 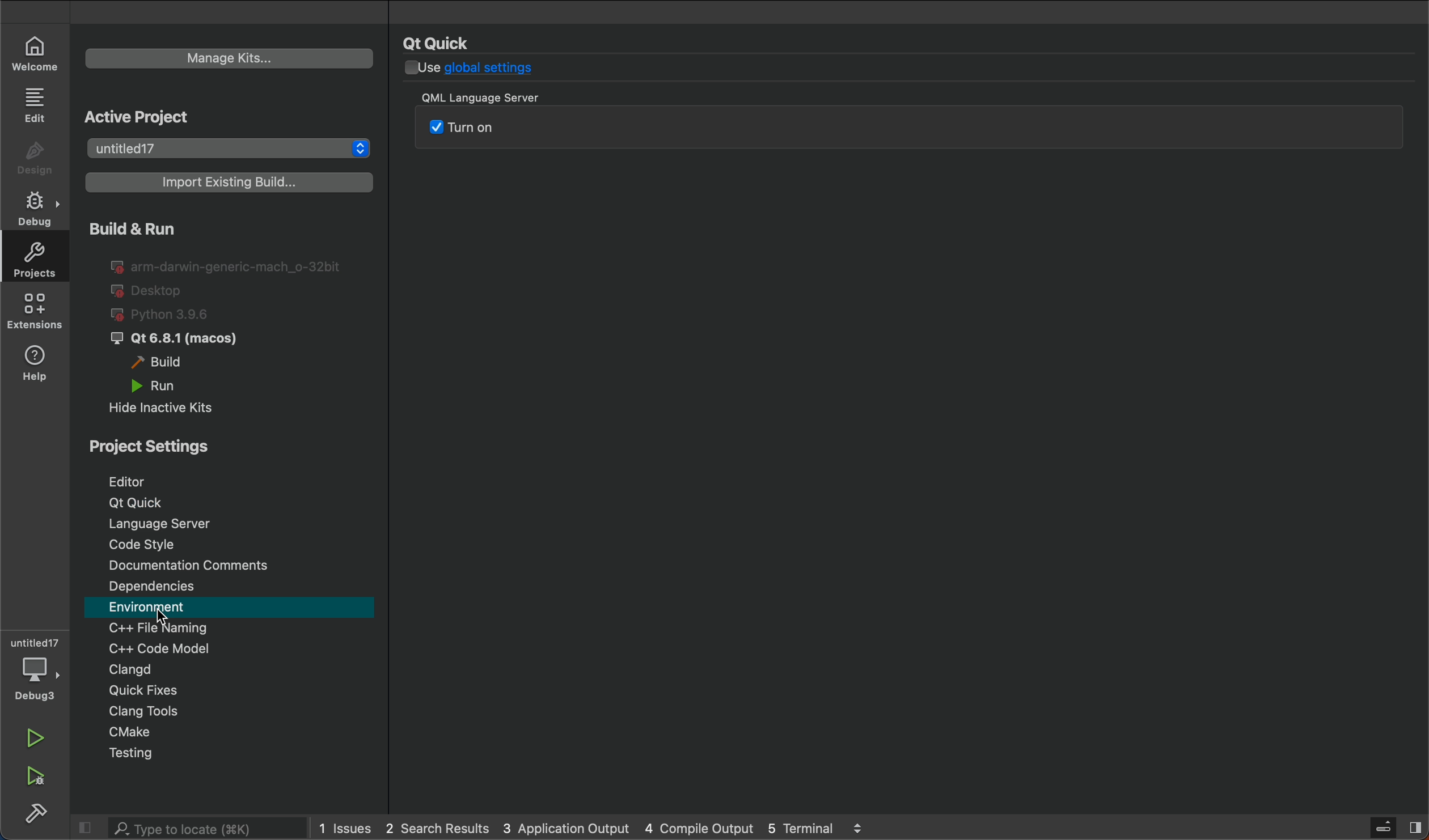 What do you see at coordinates (233, 586) in the screenshot?
I see `Dependencies ` at bounding box center [233, 586].